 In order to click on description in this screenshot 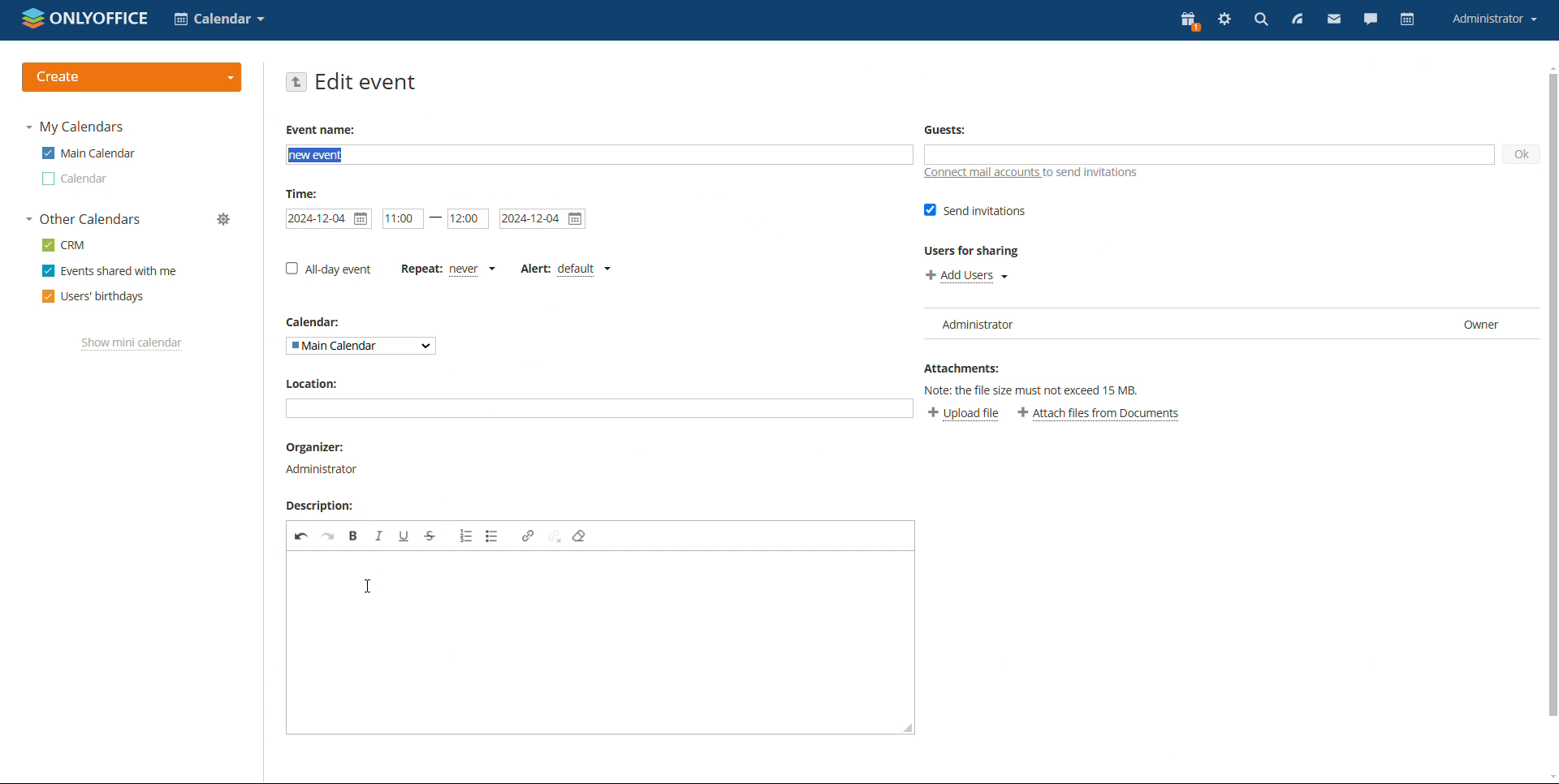, I will do `click(578, 628)`.